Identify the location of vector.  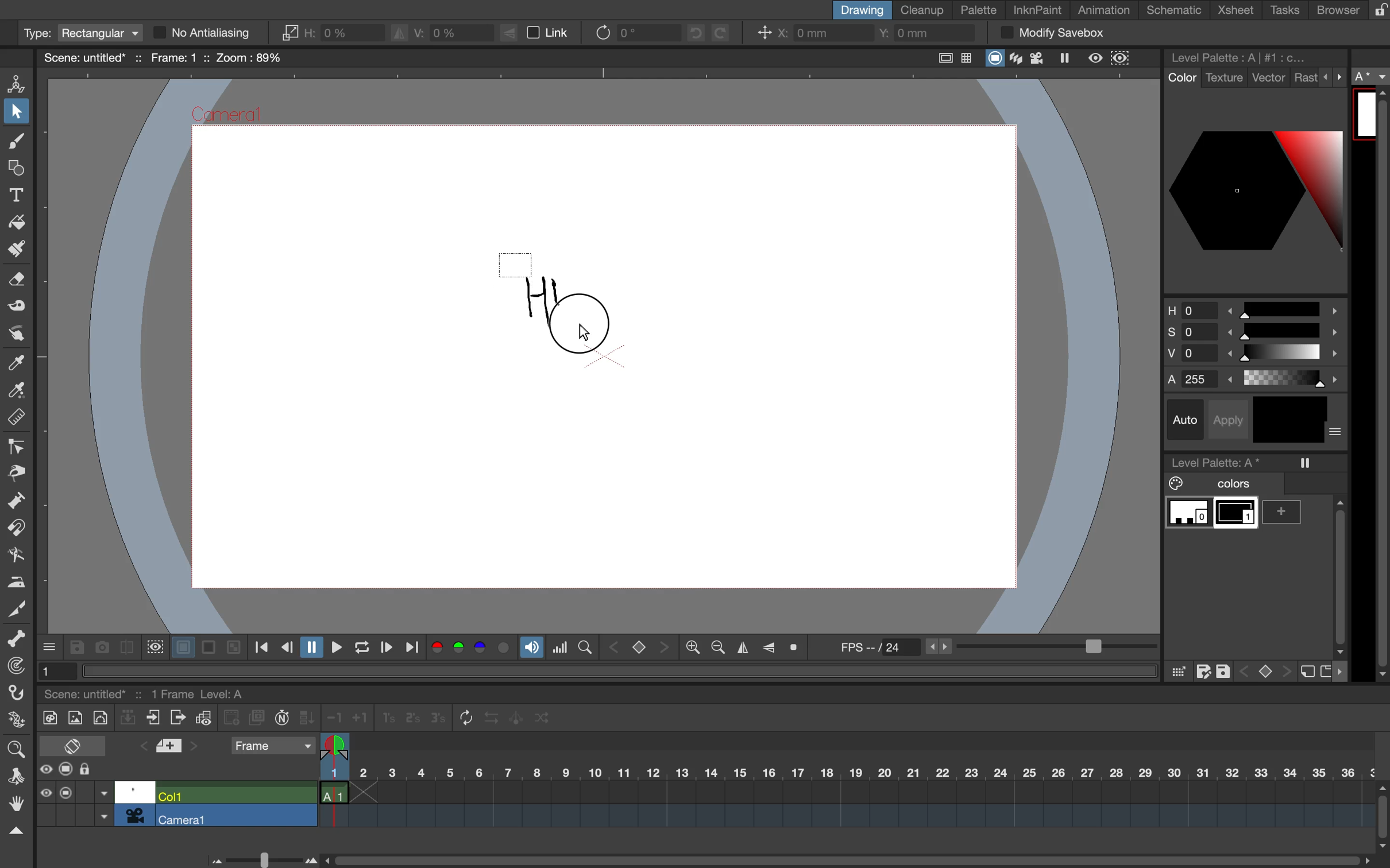
(1269, 79).